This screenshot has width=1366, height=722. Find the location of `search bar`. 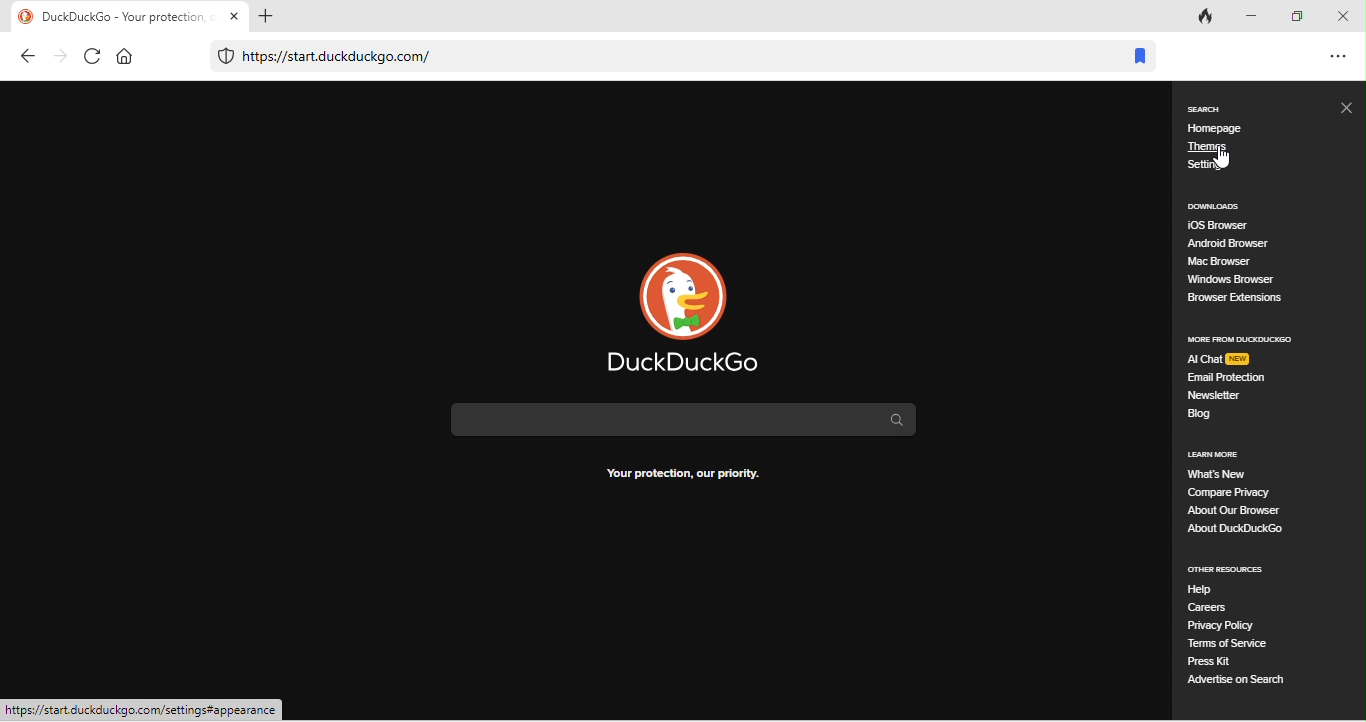

search bar is located at coordinates (677, 418).